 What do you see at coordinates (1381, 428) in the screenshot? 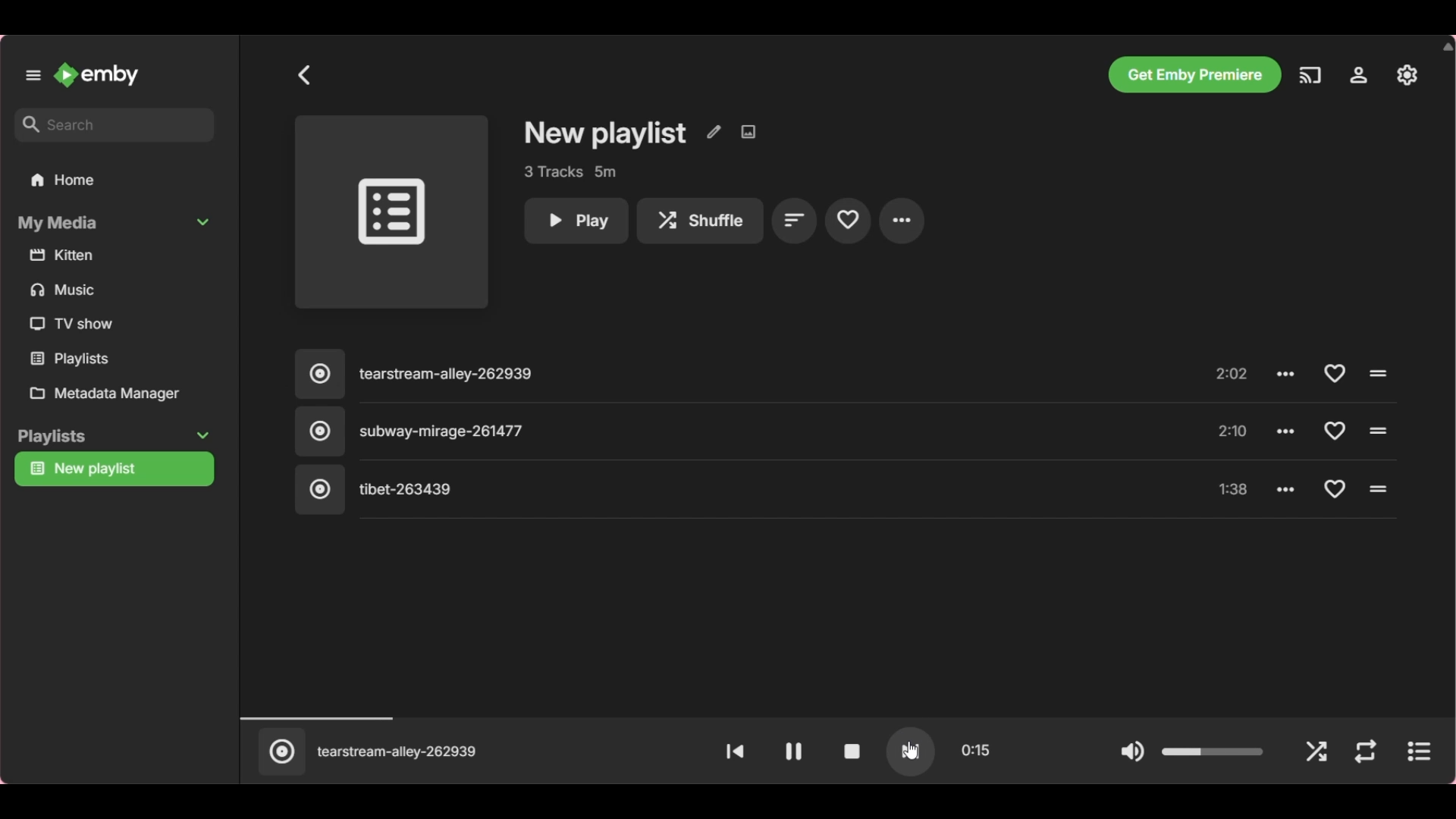
I see `click to play` at bounding box center [1381, 428].